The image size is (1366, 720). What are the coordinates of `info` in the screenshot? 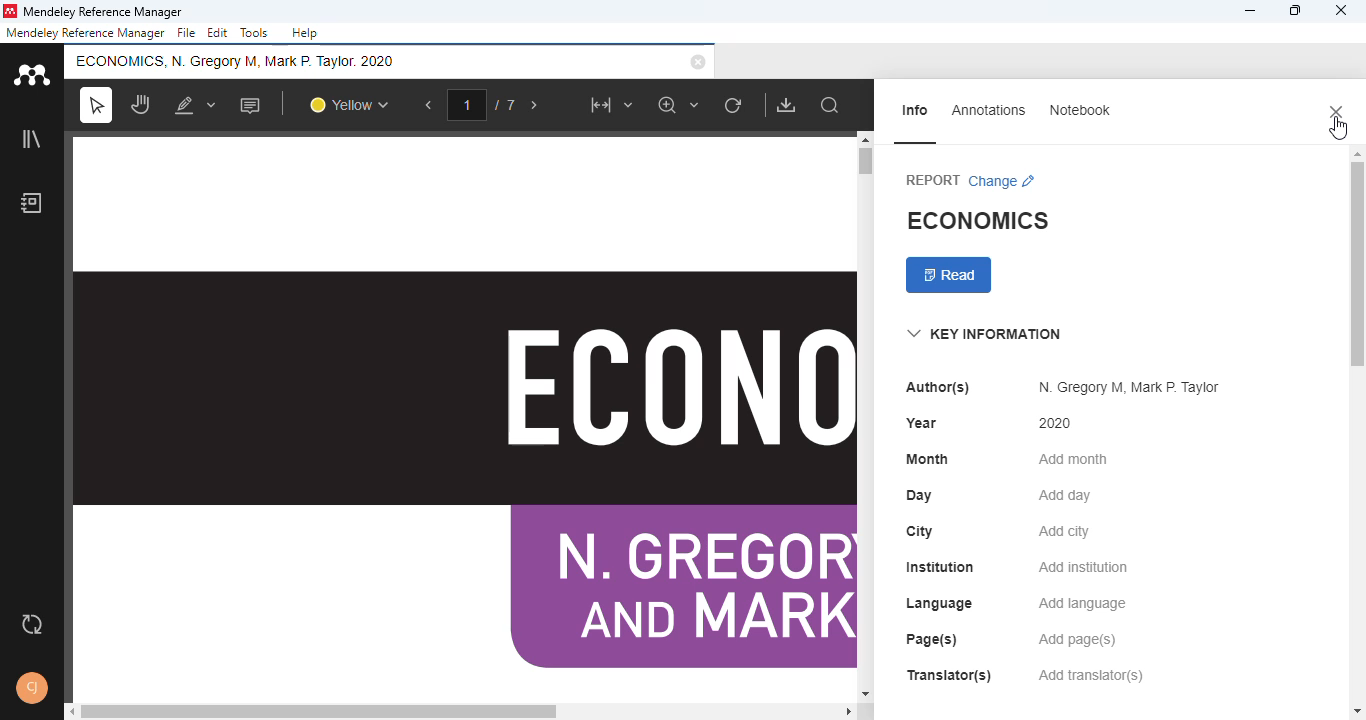 It's located at (915, 110).